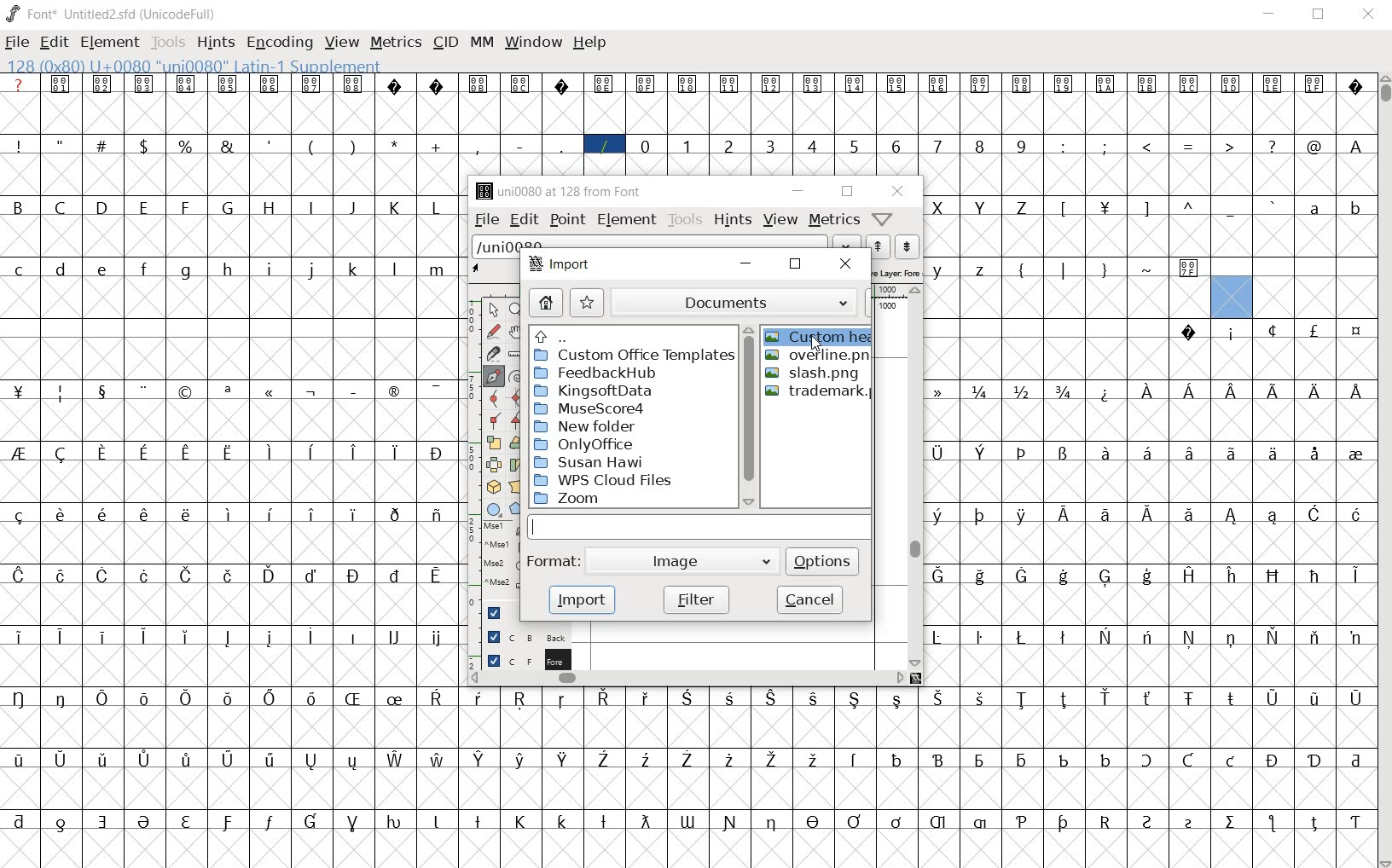  Describe the element at coordinates (1064, 454) in the screenshot. I see `glyph` at that location.